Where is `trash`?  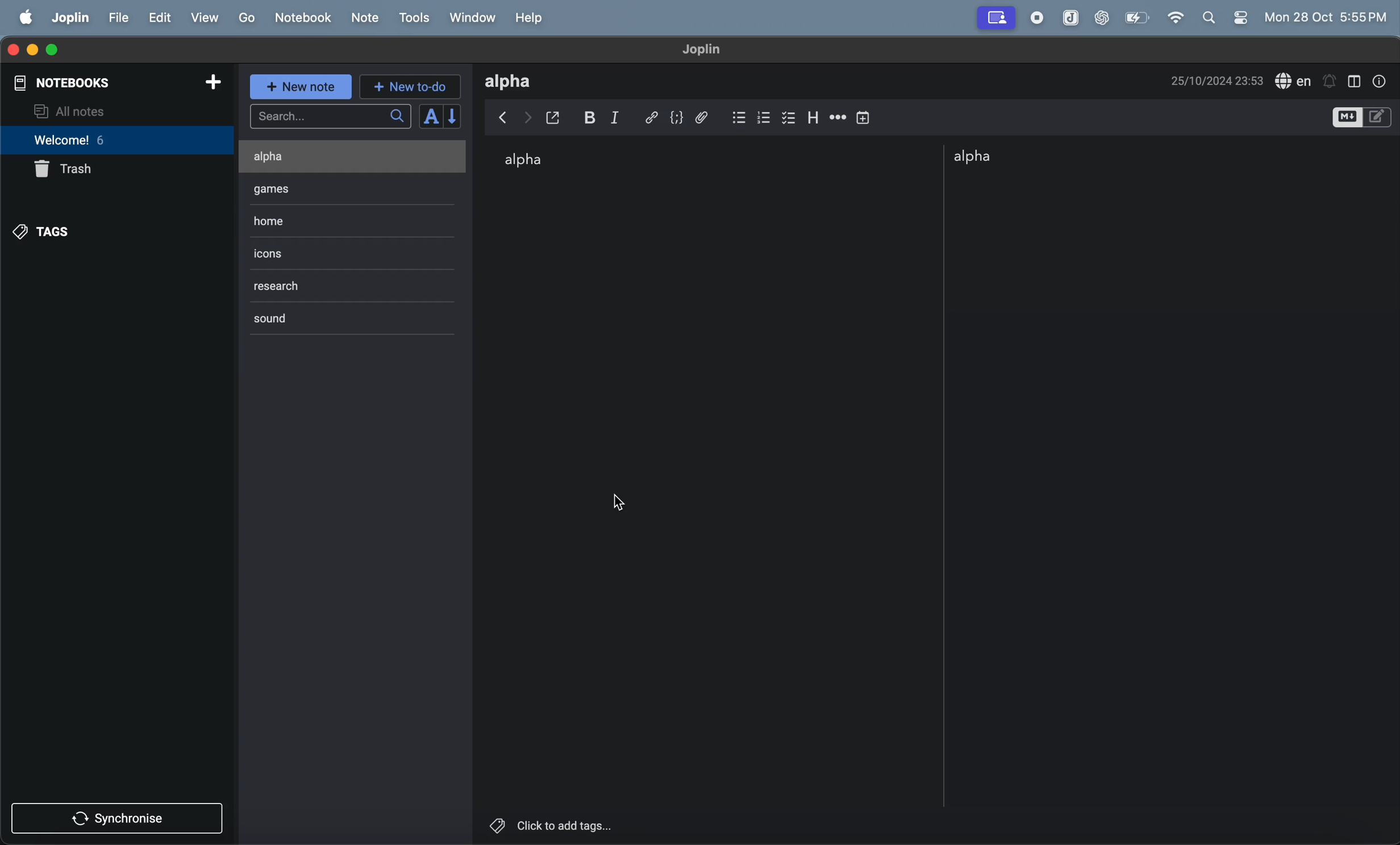
trash is located at coordinates (69, 170).